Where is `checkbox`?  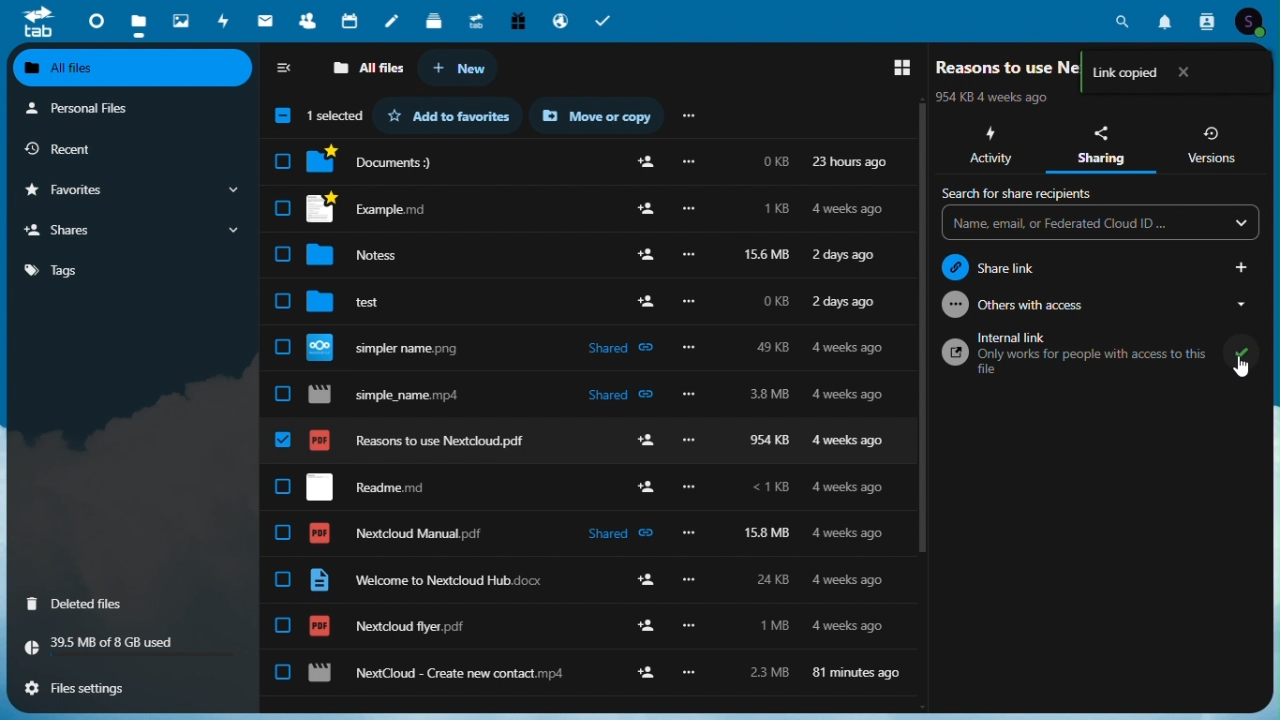 checkbox is located at coordinates (284, 579).